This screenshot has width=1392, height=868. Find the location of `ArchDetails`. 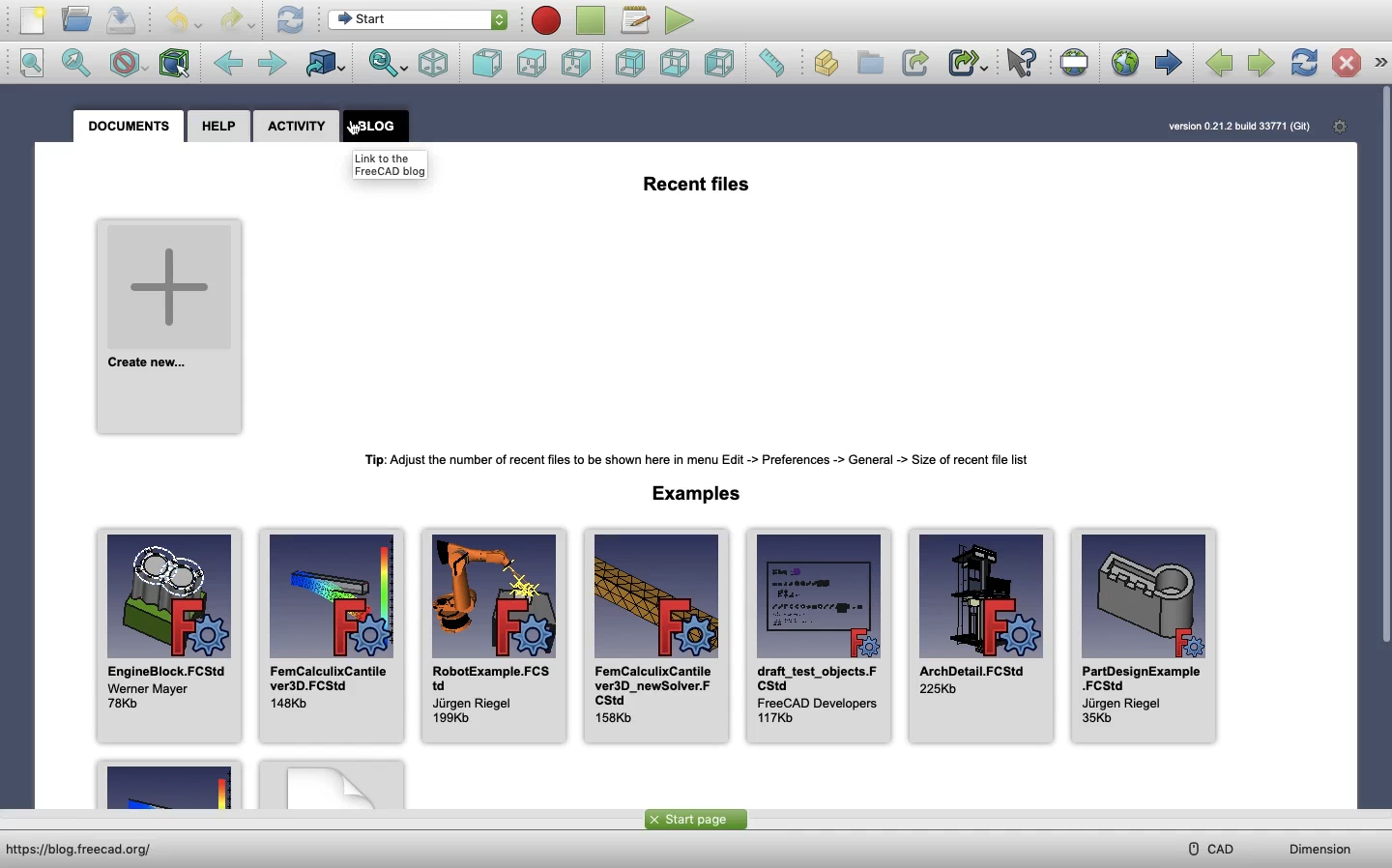

ArchDetails is located at coordinates (982, 634).